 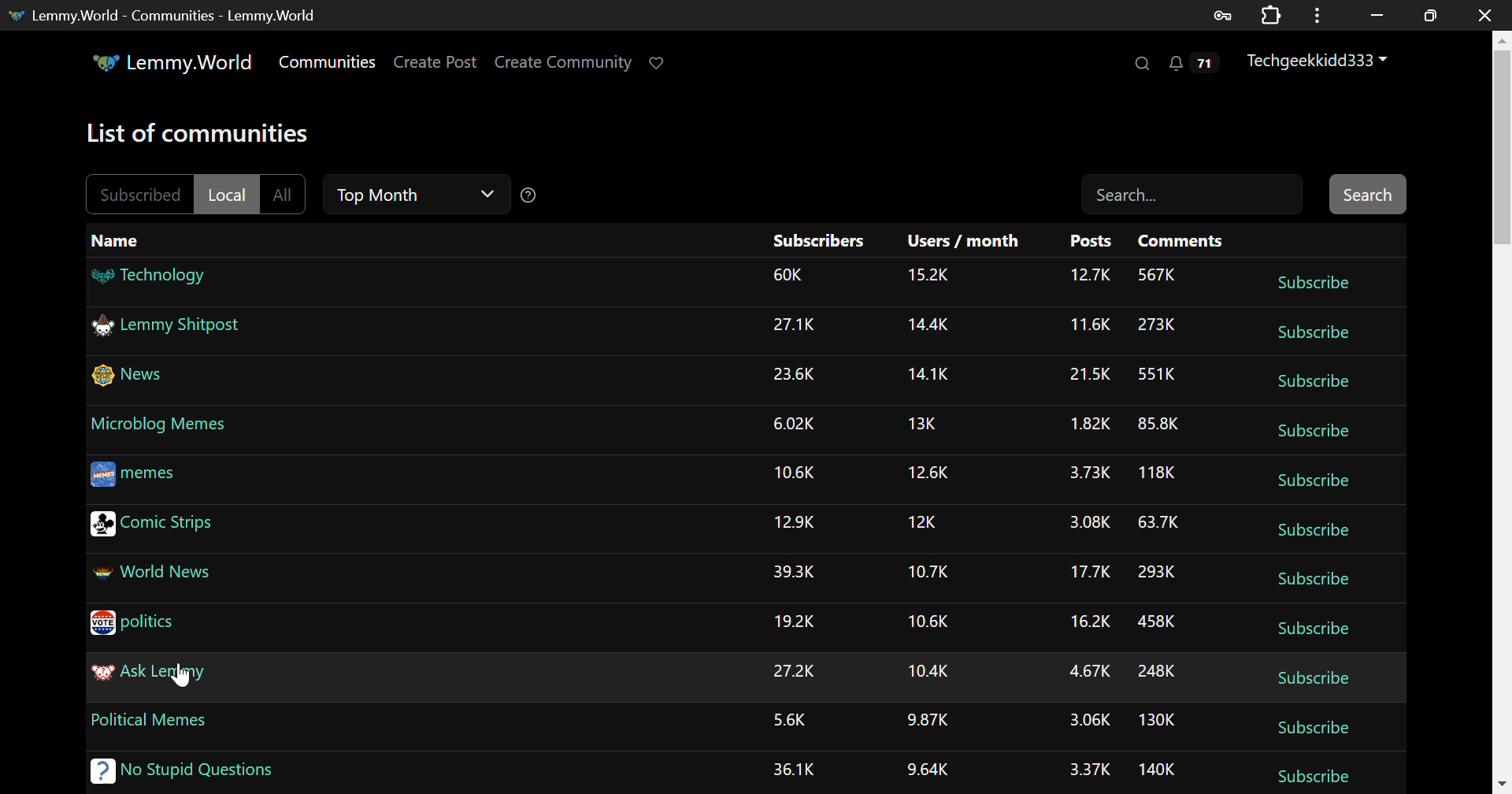 I want to click on Amount, so click(x=793, y=521).